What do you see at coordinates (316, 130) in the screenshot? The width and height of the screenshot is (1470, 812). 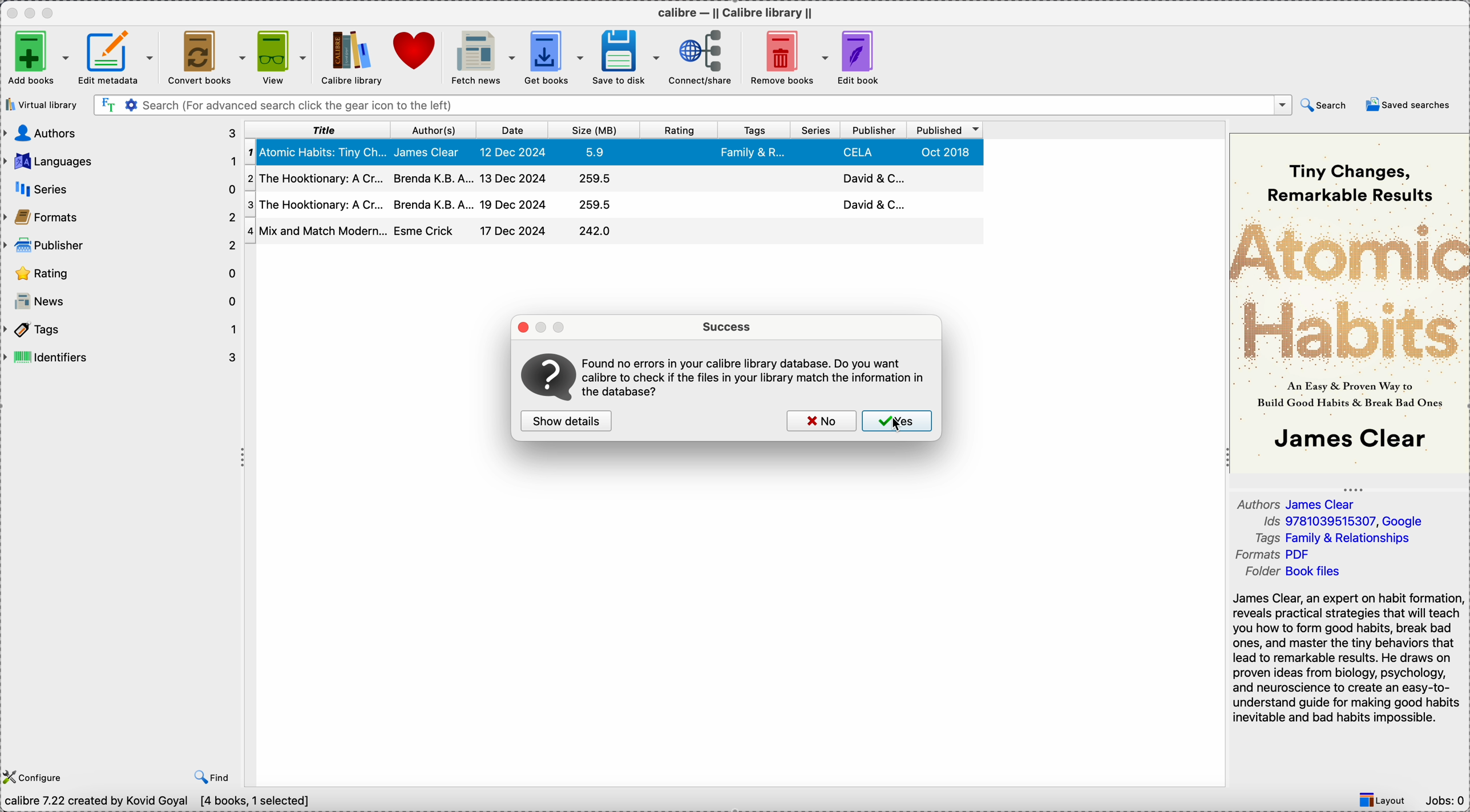 I see `title` at bounding box center [316, 130].